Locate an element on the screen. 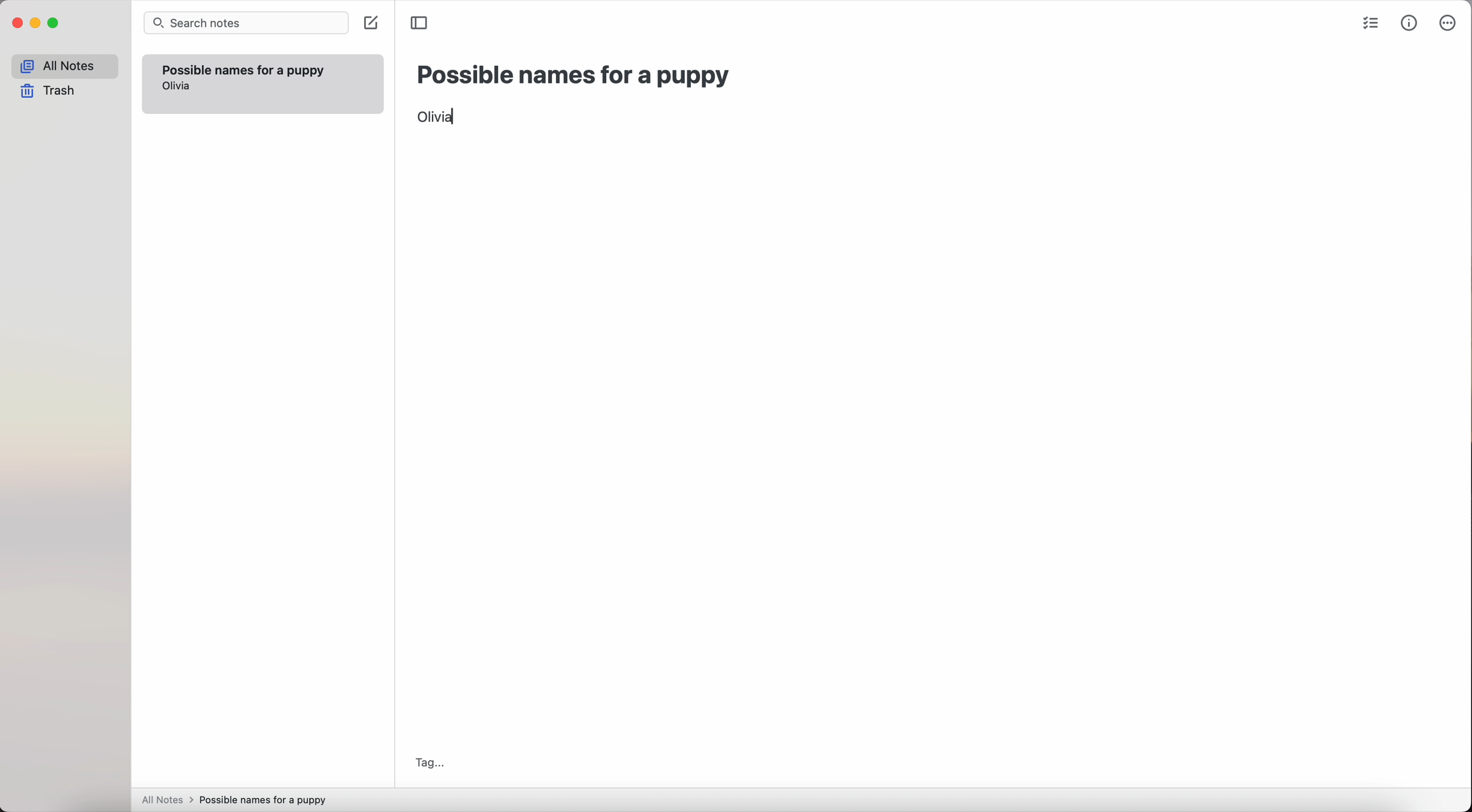  maximize is located at coordinates (54, 25).